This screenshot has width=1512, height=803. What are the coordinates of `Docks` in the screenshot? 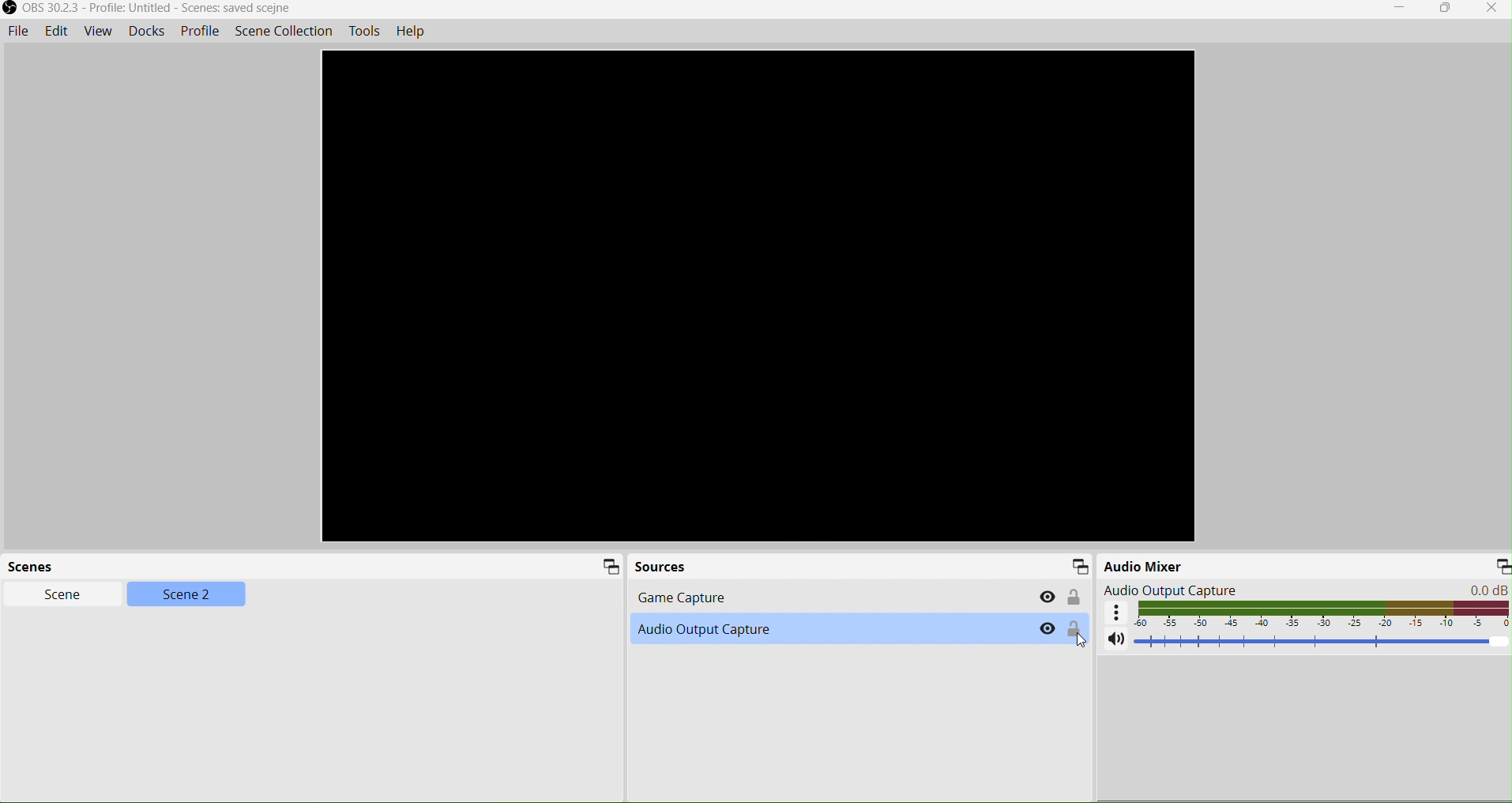 It's located at (146, 34).